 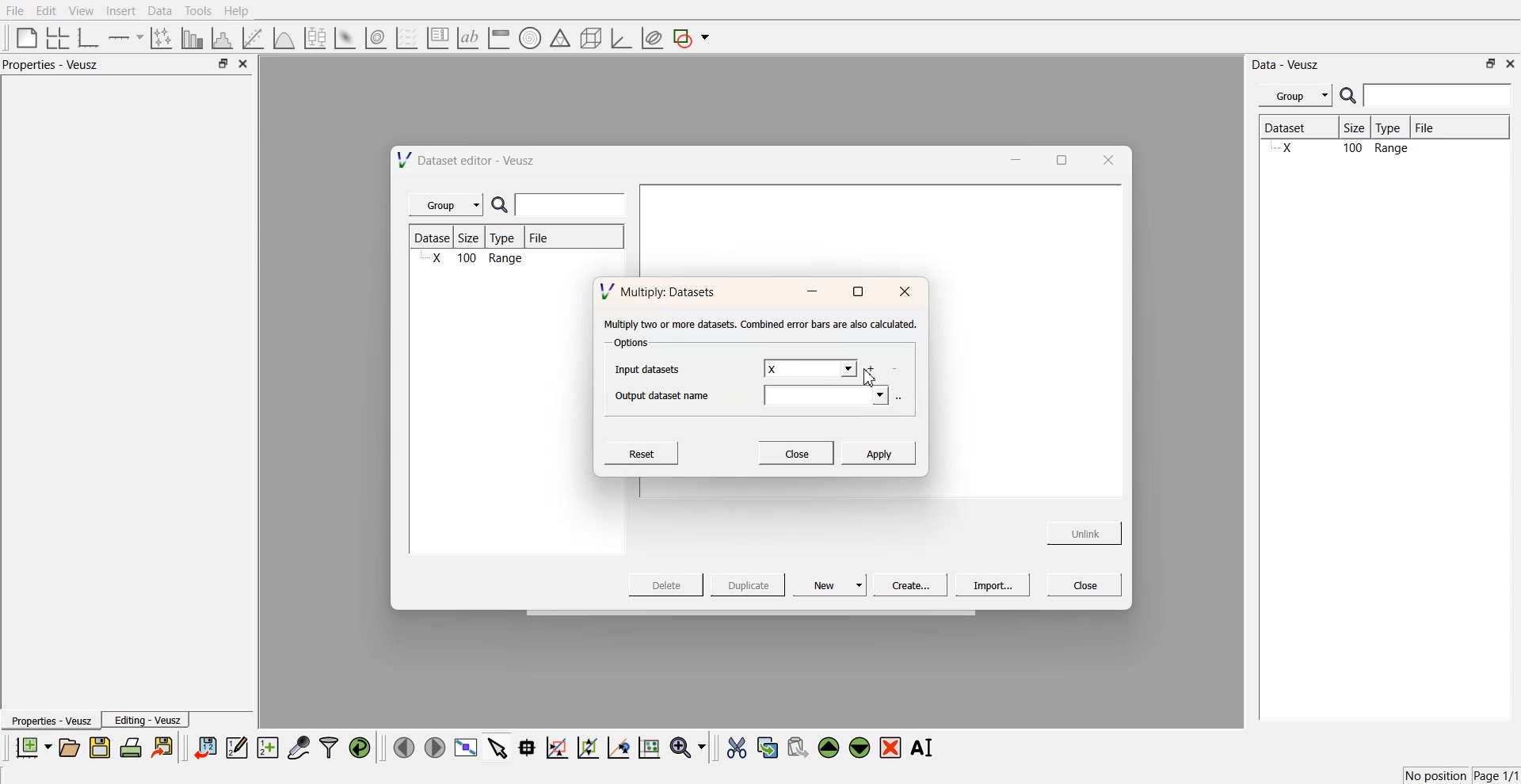 What do you see at coordinates (16, 11) in the screenshot?
I see `File` at bounding box center [16, 11].